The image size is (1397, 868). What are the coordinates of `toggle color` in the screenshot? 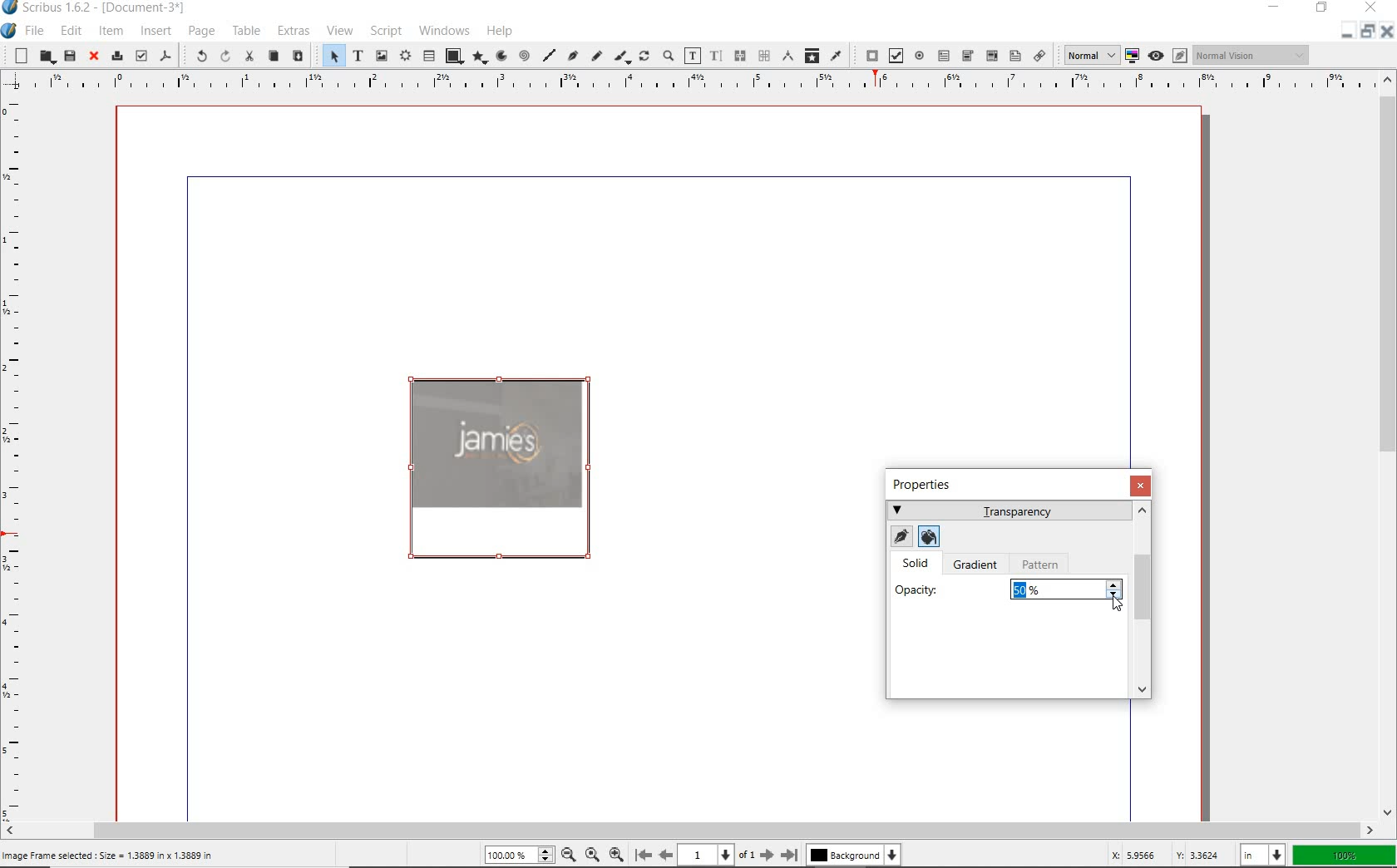 It's located at (1132, 54).